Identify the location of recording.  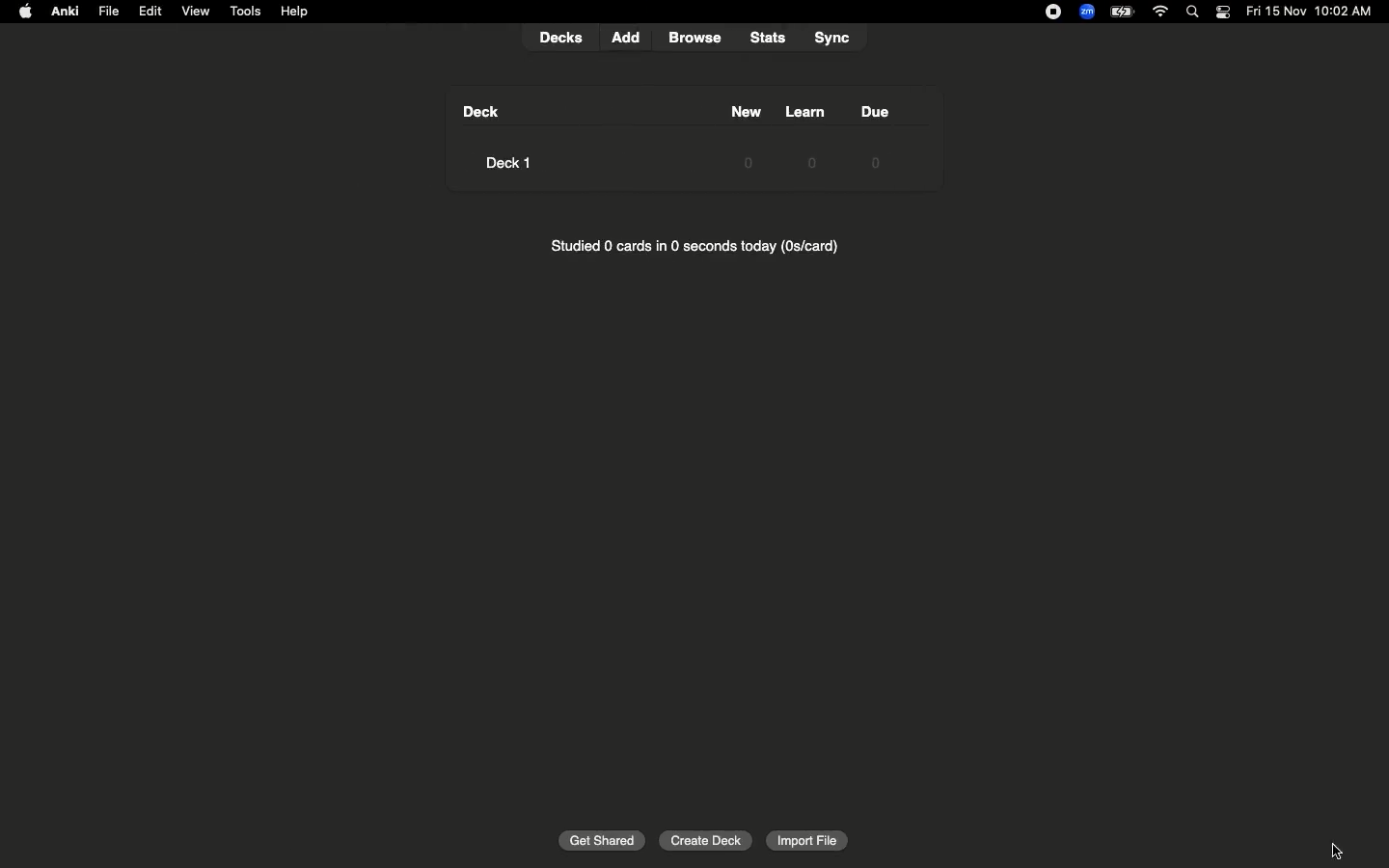
(1042, 12).